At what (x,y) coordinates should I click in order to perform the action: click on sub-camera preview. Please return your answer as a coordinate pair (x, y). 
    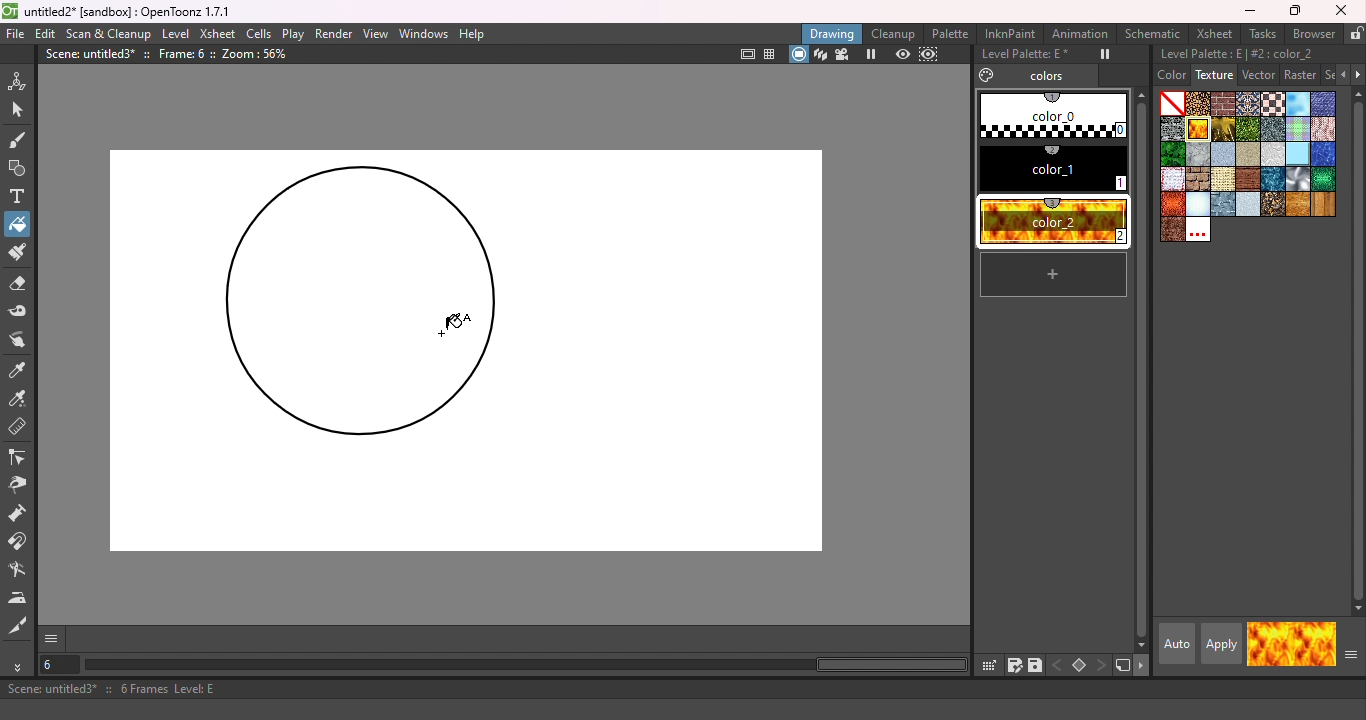
    Looking at the image, I should click on (929, 54).